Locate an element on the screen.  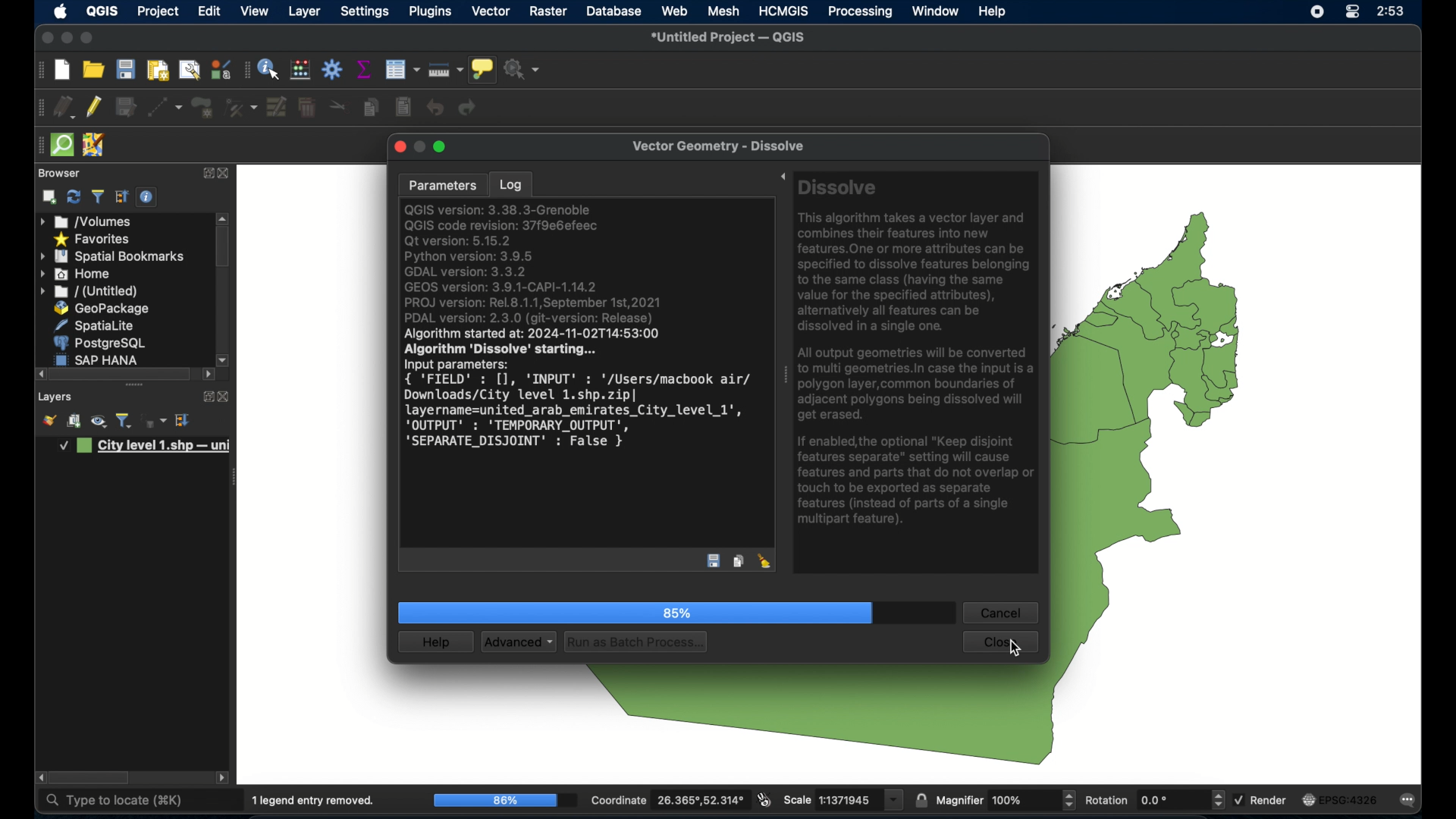
project is located at coordinates (158, 12).